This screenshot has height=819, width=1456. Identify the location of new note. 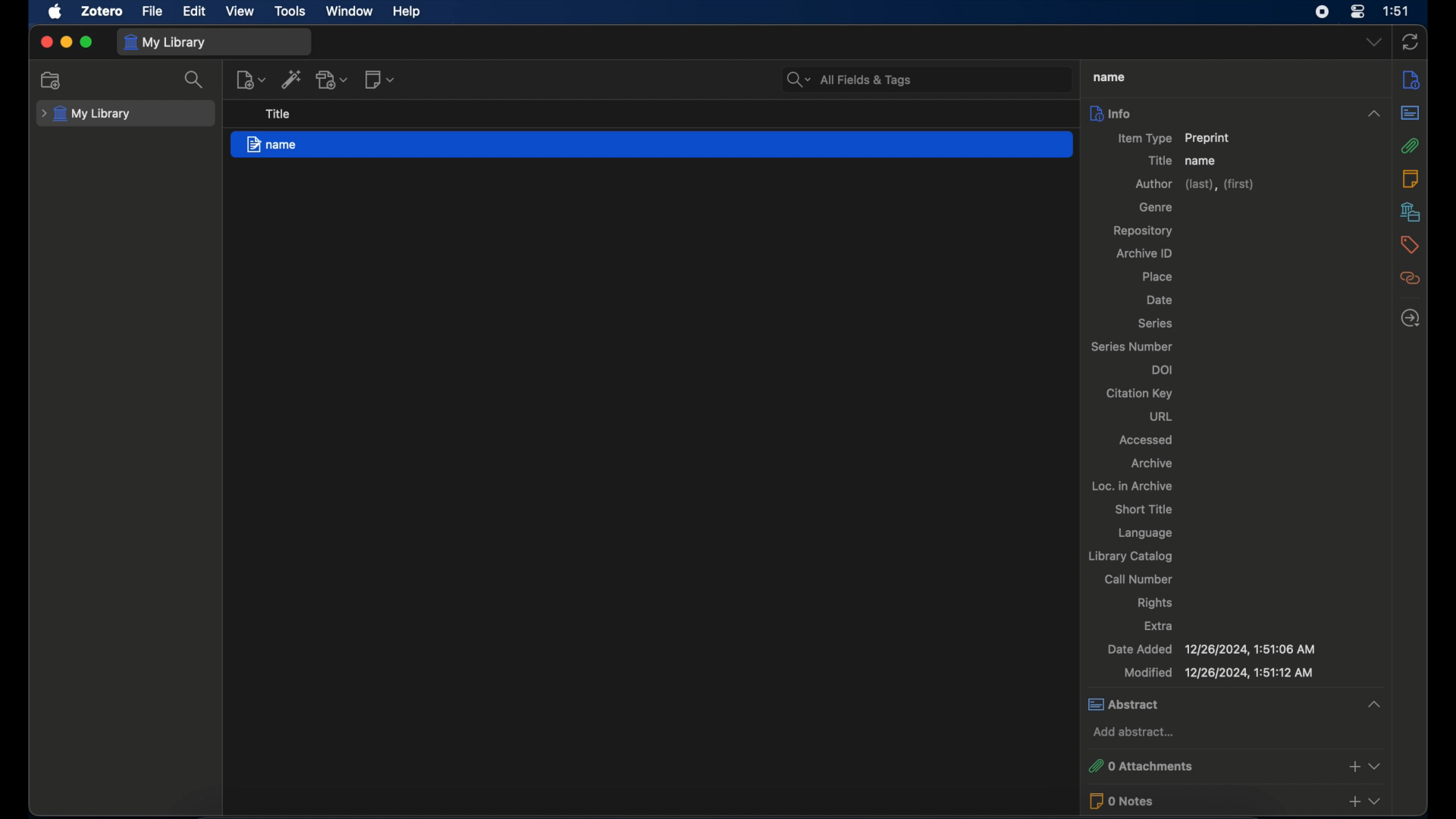
(379, 80).